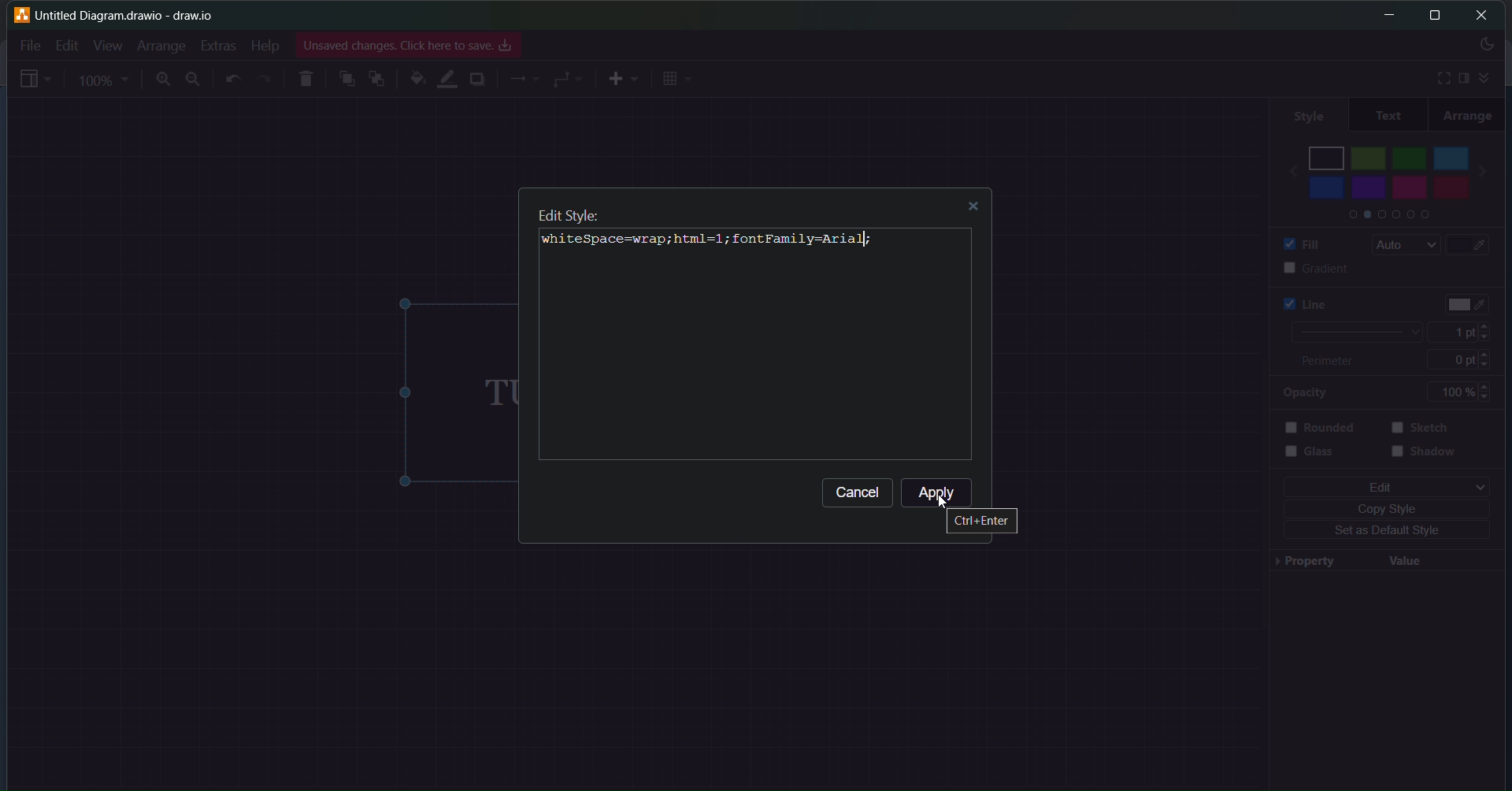 This screenshot has height=791, width=1512. What do you see at coordinates (1305, 113) in the screenshot?
I see `style` at bounding box center [1305, 113].